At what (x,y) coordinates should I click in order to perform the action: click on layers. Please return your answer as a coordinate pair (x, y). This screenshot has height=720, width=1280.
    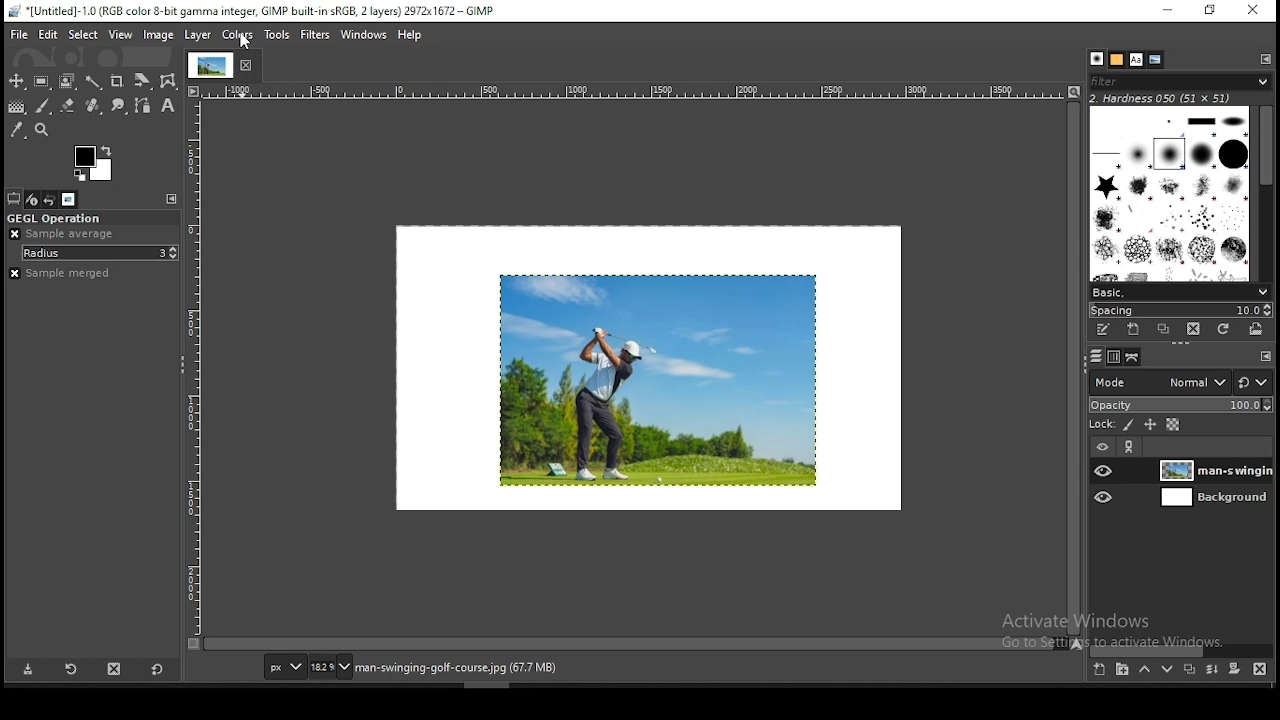
    Looking at the image, I should click on (1093, 357).